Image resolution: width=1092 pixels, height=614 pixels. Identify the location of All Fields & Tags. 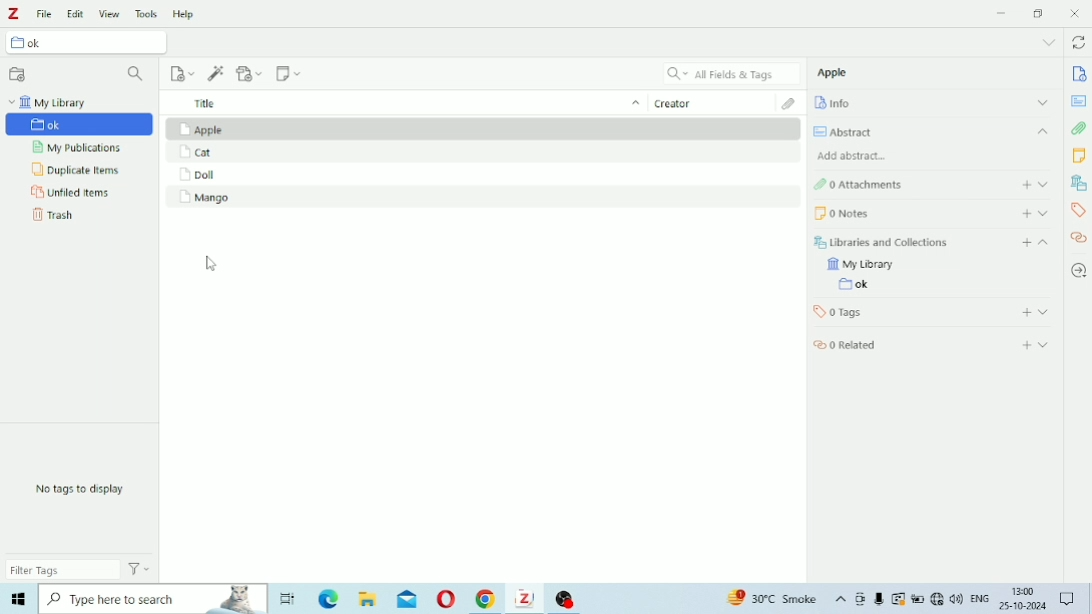
(730, 73).